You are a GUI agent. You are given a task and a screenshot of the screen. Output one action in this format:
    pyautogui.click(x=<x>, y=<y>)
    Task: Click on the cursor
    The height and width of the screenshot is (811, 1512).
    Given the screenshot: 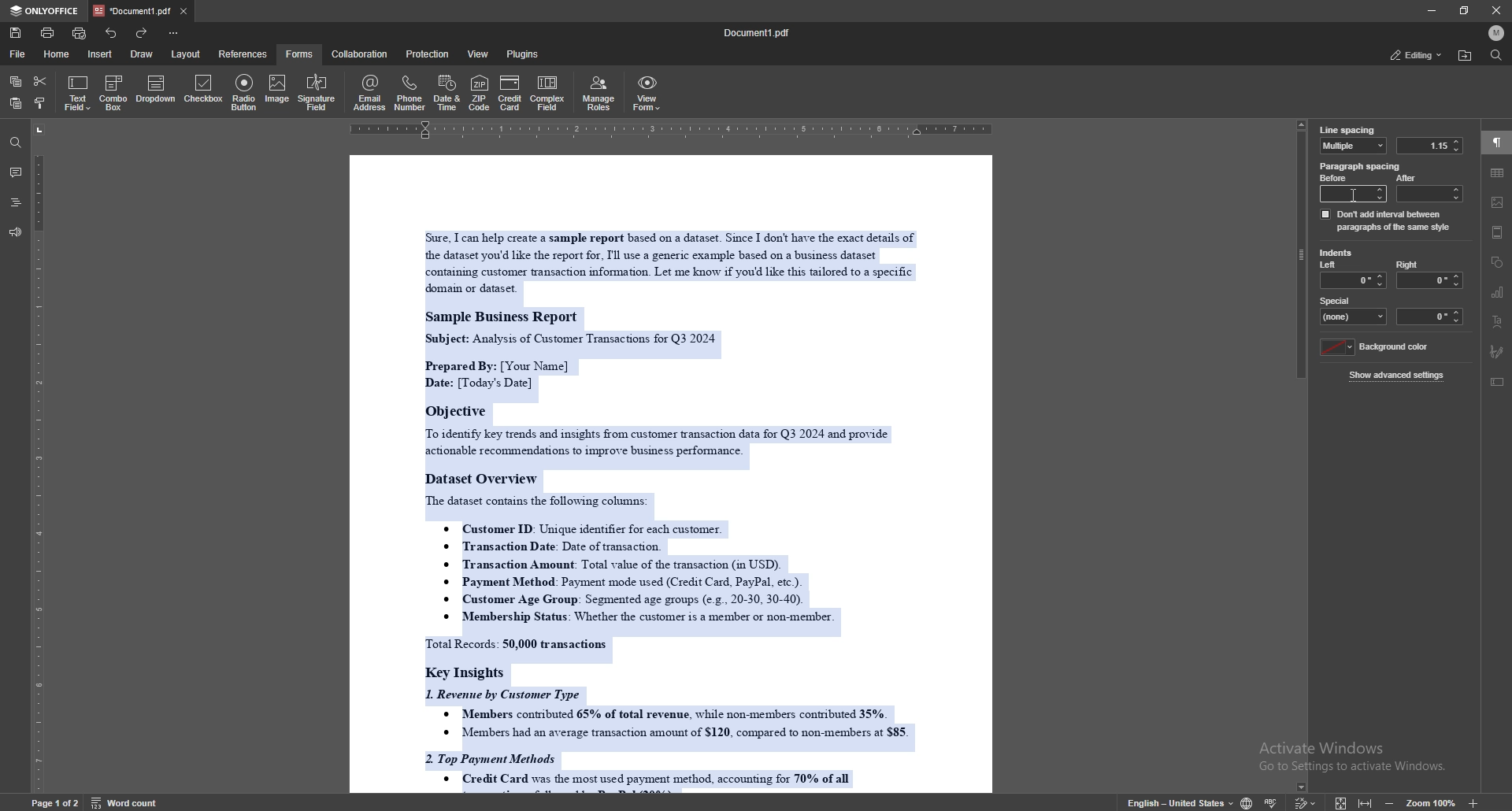 What is the action you would take?
    pyautogui.click(x=1355, y=195)
    